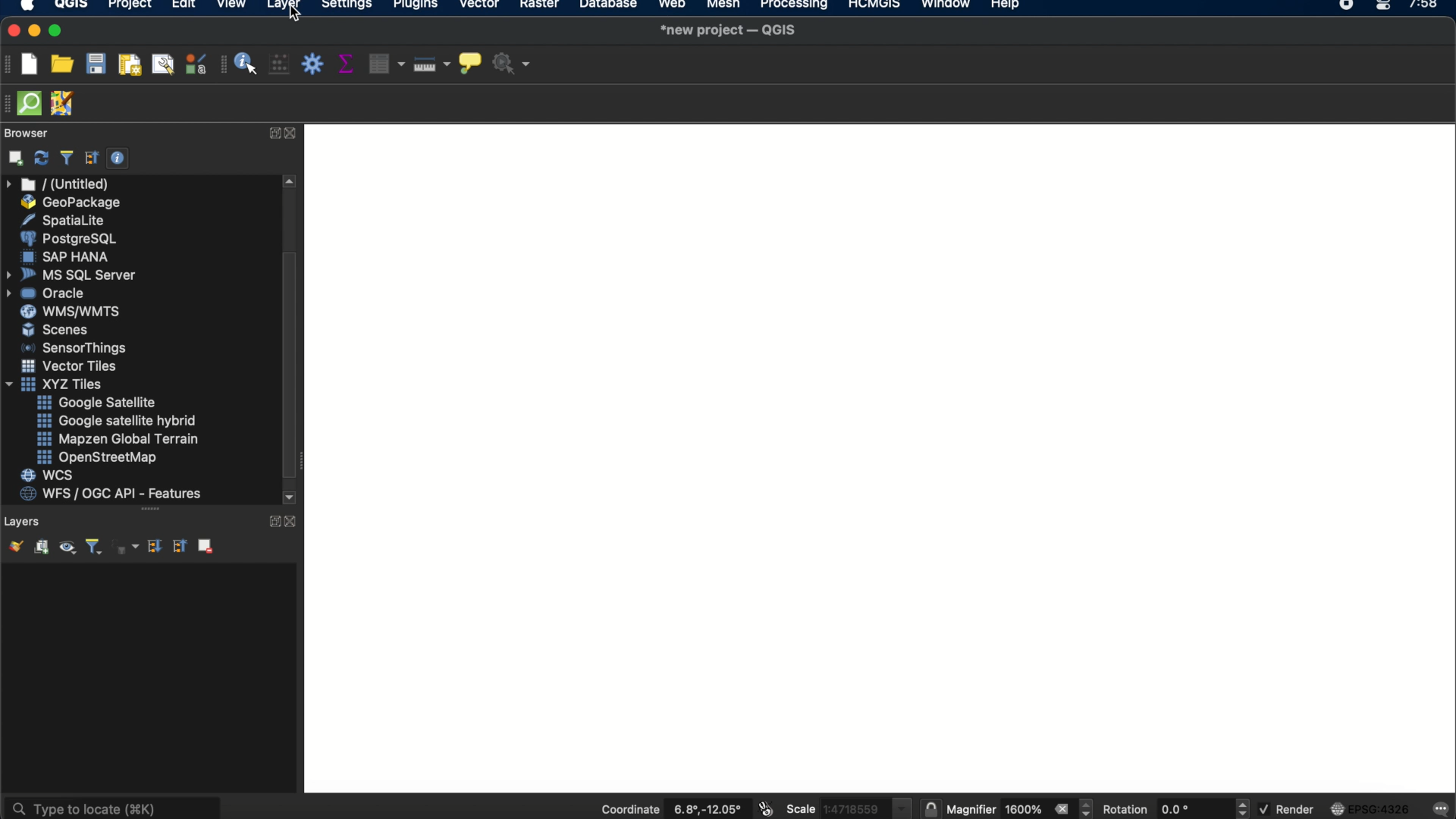 The width and height of the screenshot is (1456, 819). What do you see at coordinates (66, 549) in the screenshot?
I see `manage map themes` at bounding box center [66, 549].